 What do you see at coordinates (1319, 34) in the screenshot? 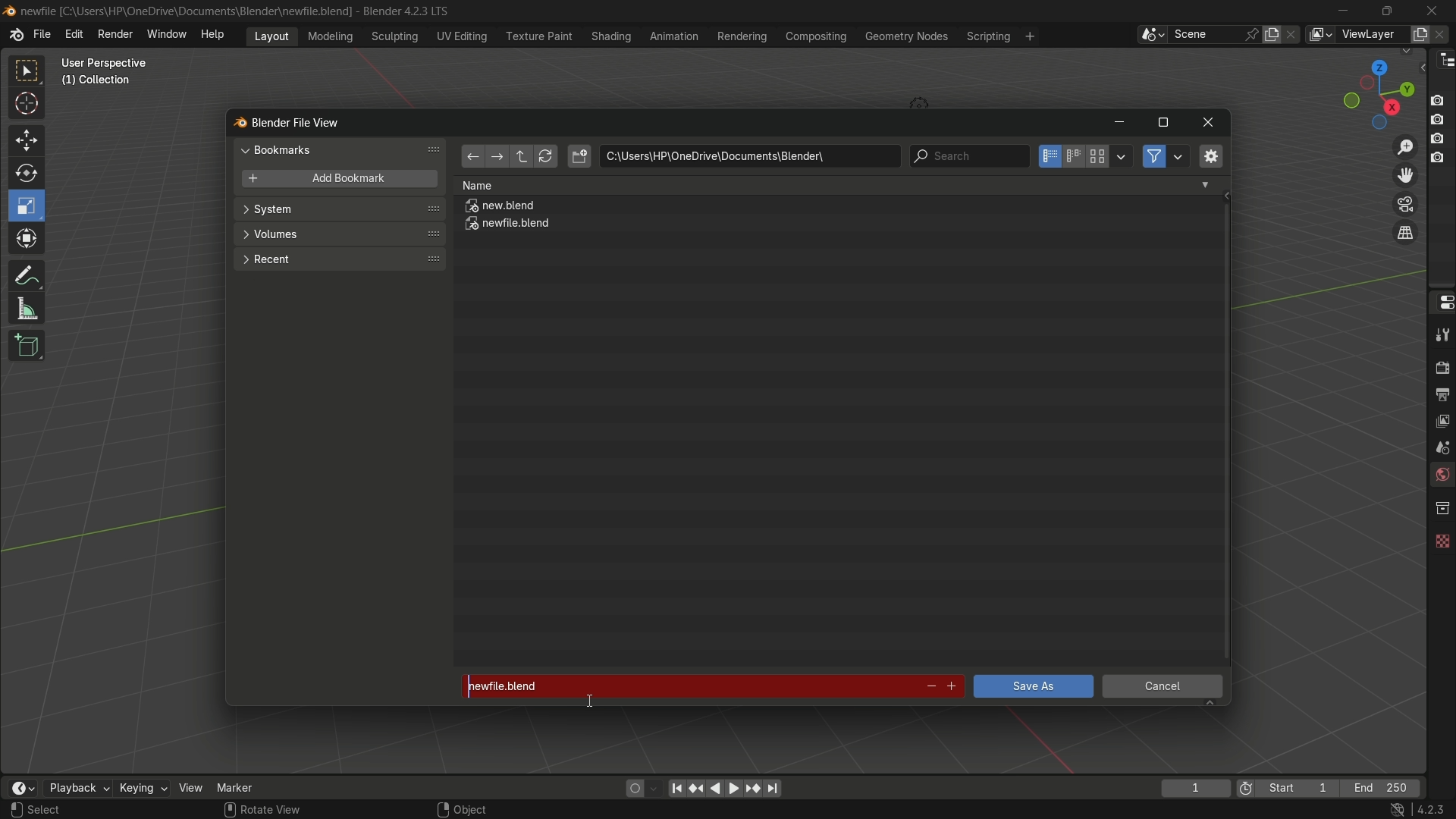
I see `view layer` at bounding box center [1319, 34].